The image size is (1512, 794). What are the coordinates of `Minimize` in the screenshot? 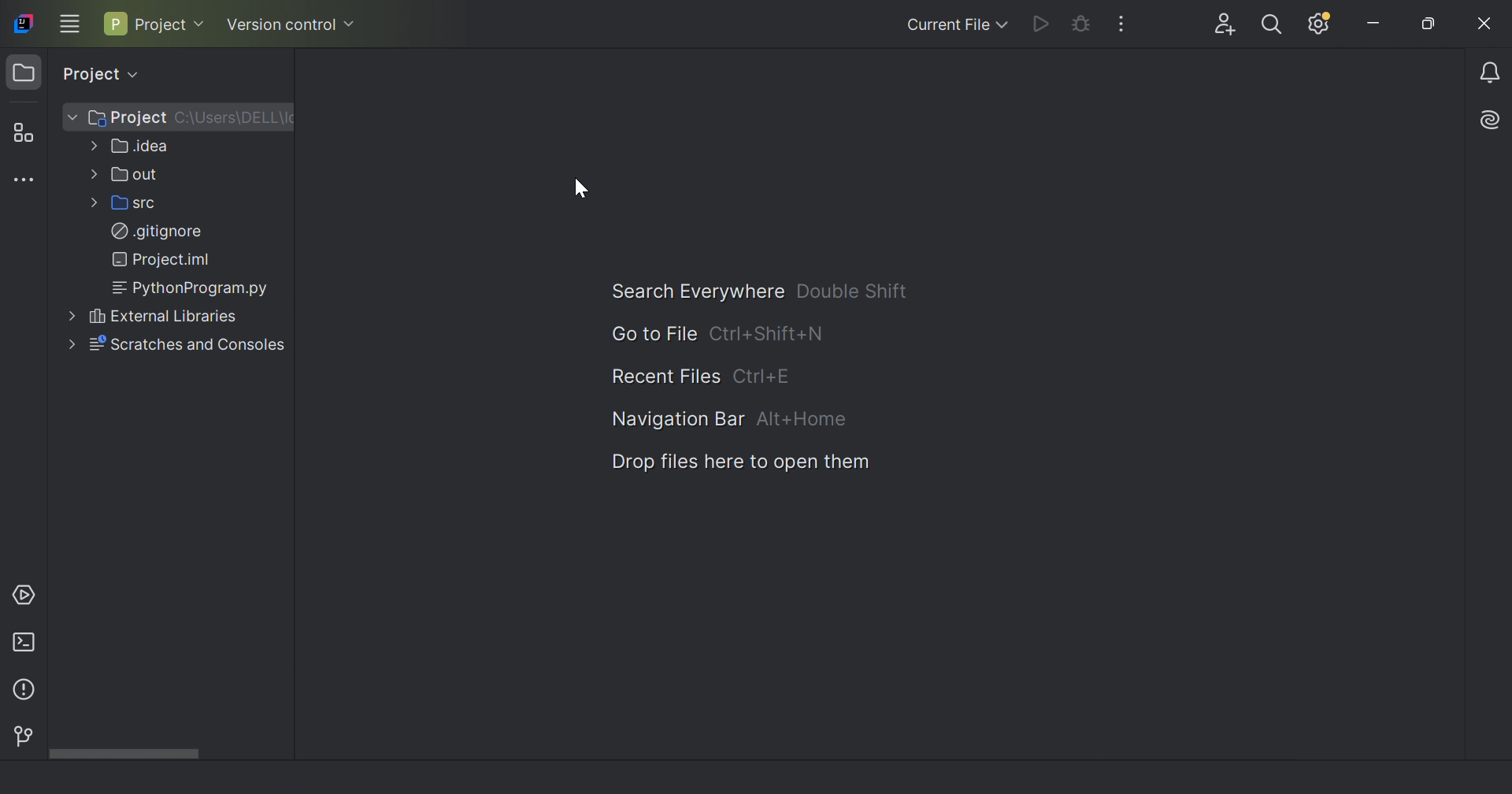 It's located at (1379, 25).